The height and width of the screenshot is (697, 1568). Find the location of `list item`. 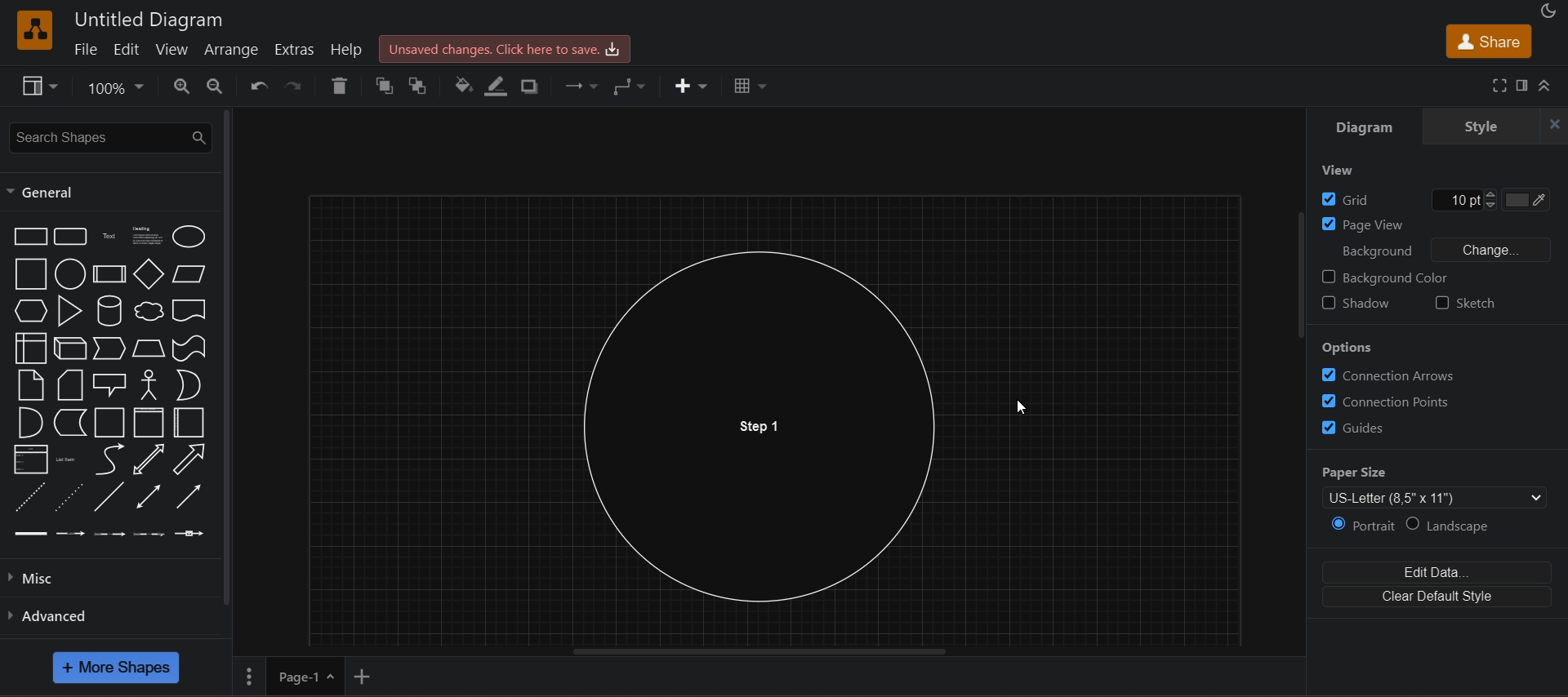

list item is located at coordinates (69, 460).